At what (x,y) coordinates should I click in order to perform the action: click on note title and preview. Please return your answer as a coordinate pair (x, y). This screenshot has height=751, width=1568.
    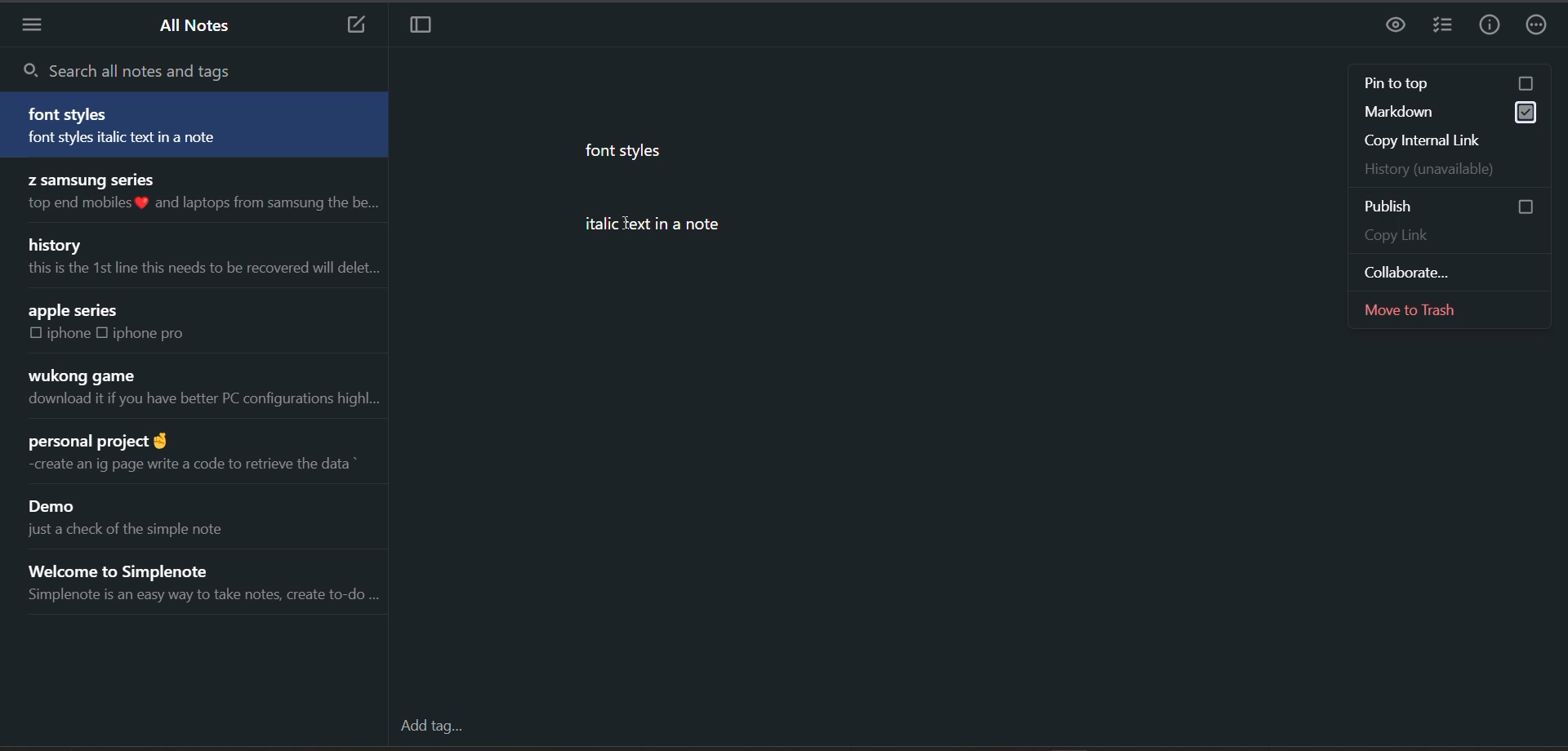
    Looking at the image, I should click on (203, 259).